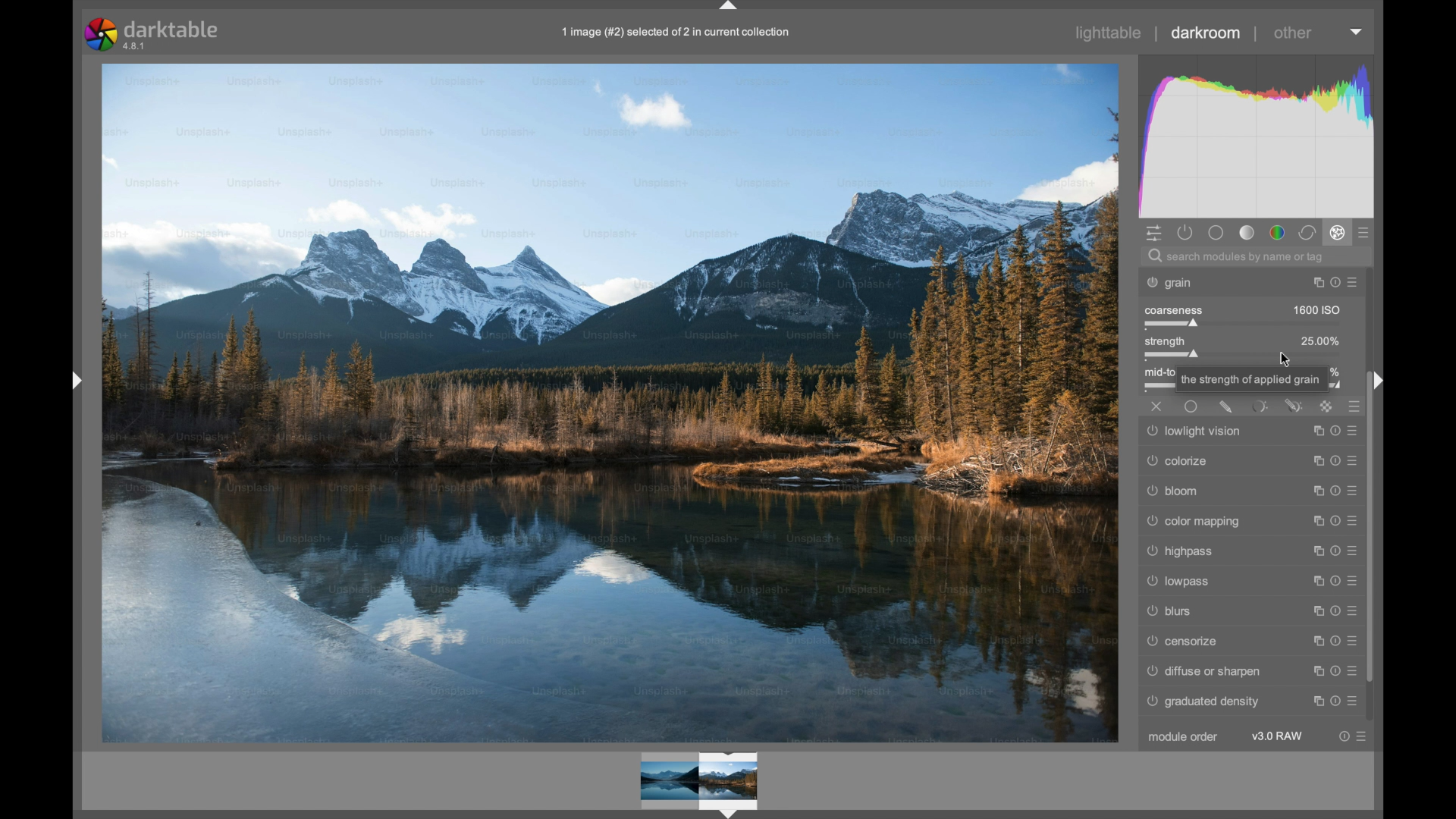 The height and width of the screenshot is (819, 1456). Describe the element at coordinates (1341, 736) in the screenshot. I see `reset parameters` at that location.